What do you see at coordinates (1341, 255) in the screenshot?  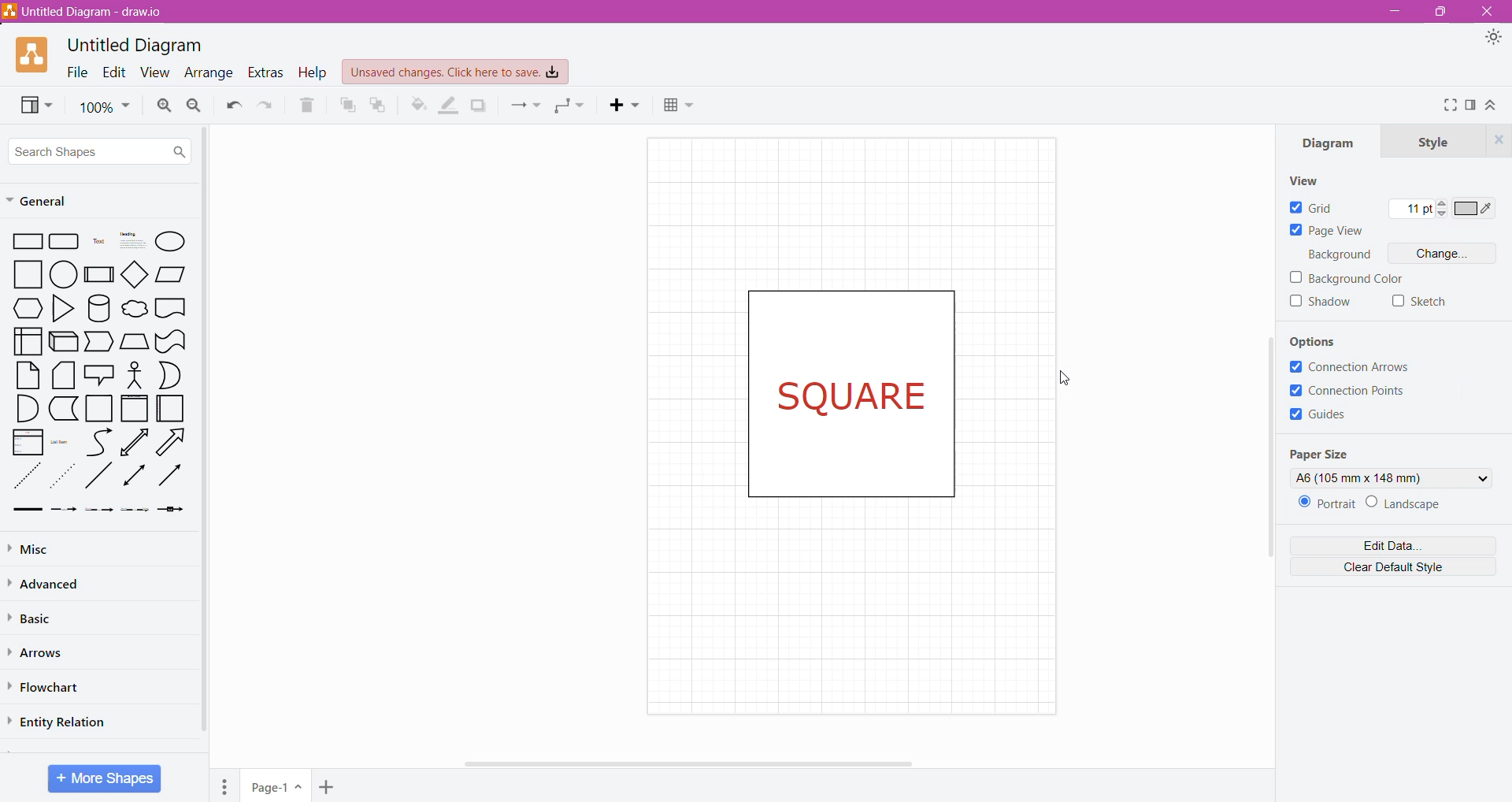 I see `Background` at bounding box center [1341, 255].